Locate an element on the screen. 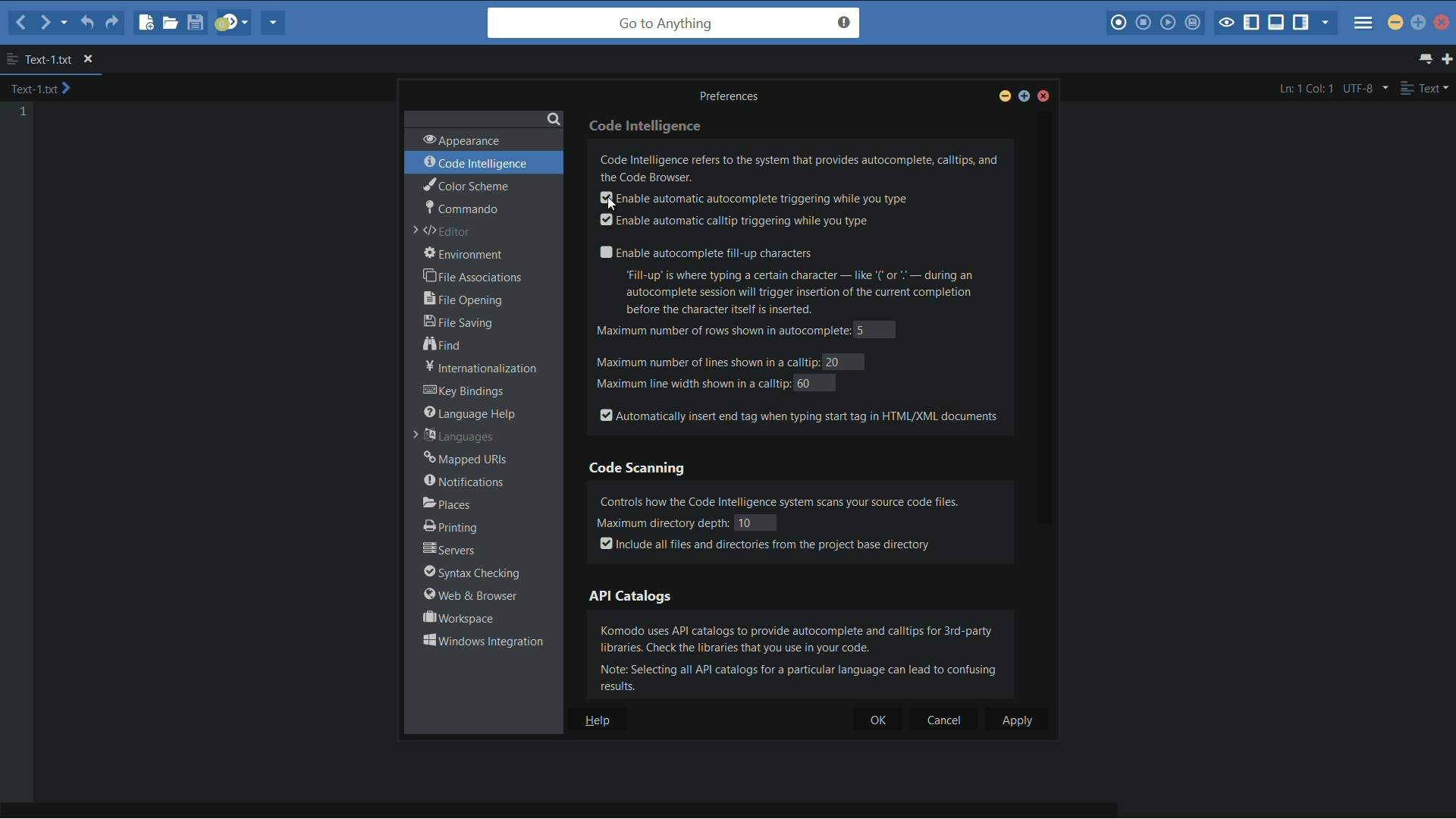 This screenshot has width=1456, height=819. editor is located at coordinates (444, 232).